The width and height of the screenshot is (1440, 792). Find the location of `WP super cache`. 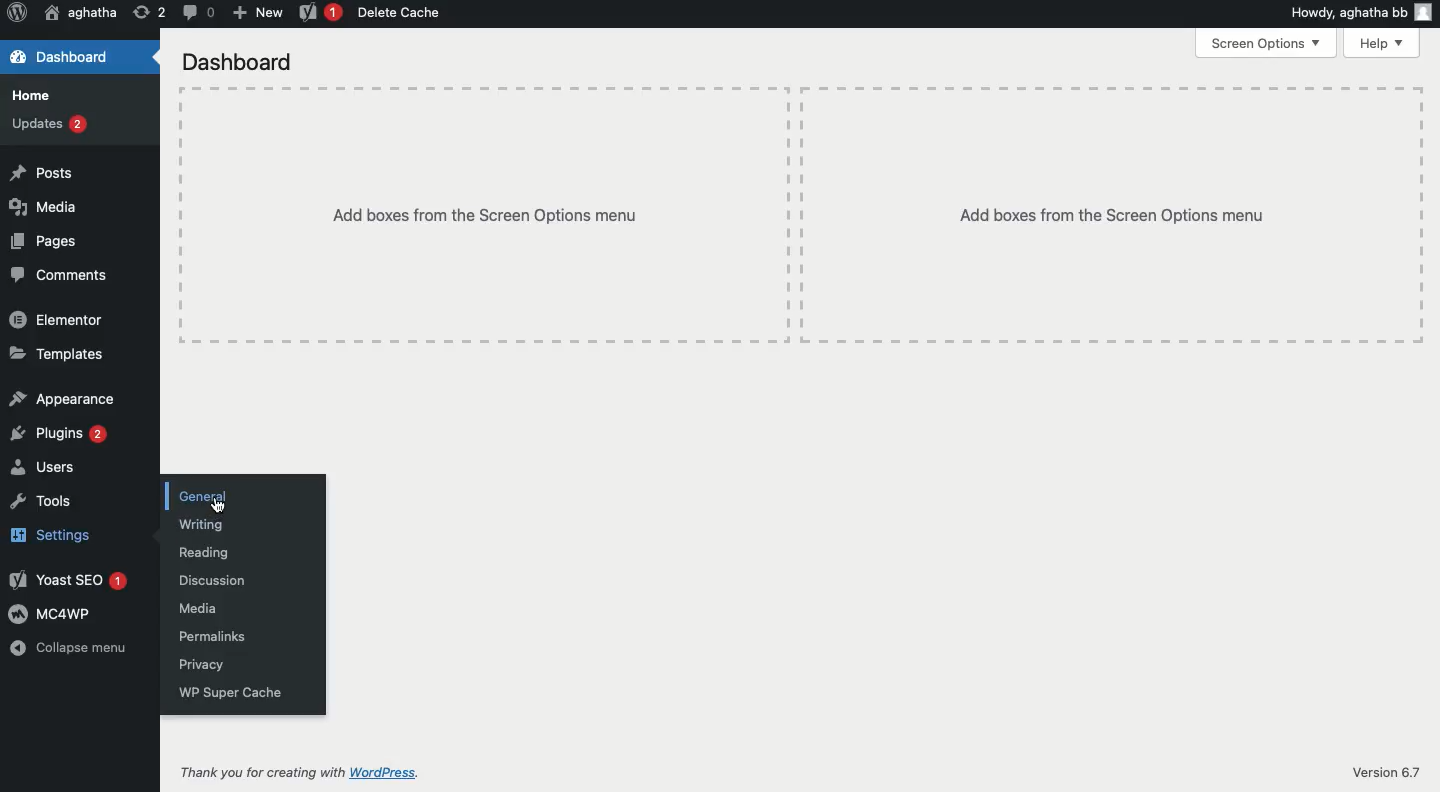

WP super cache is located at coordinates (227, 692).